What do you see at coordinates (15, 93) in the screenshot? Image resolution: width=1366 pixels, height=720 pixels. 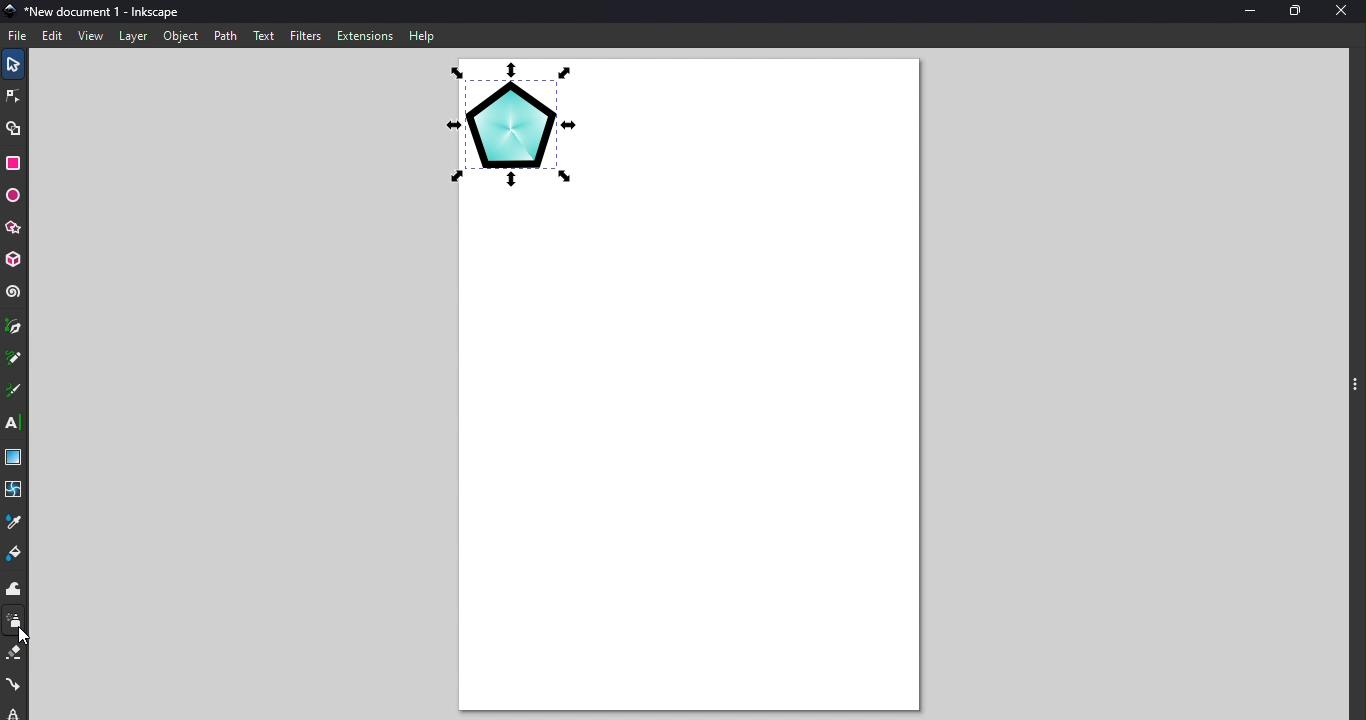 I see `Node tool` at bounding box center [15, 93].